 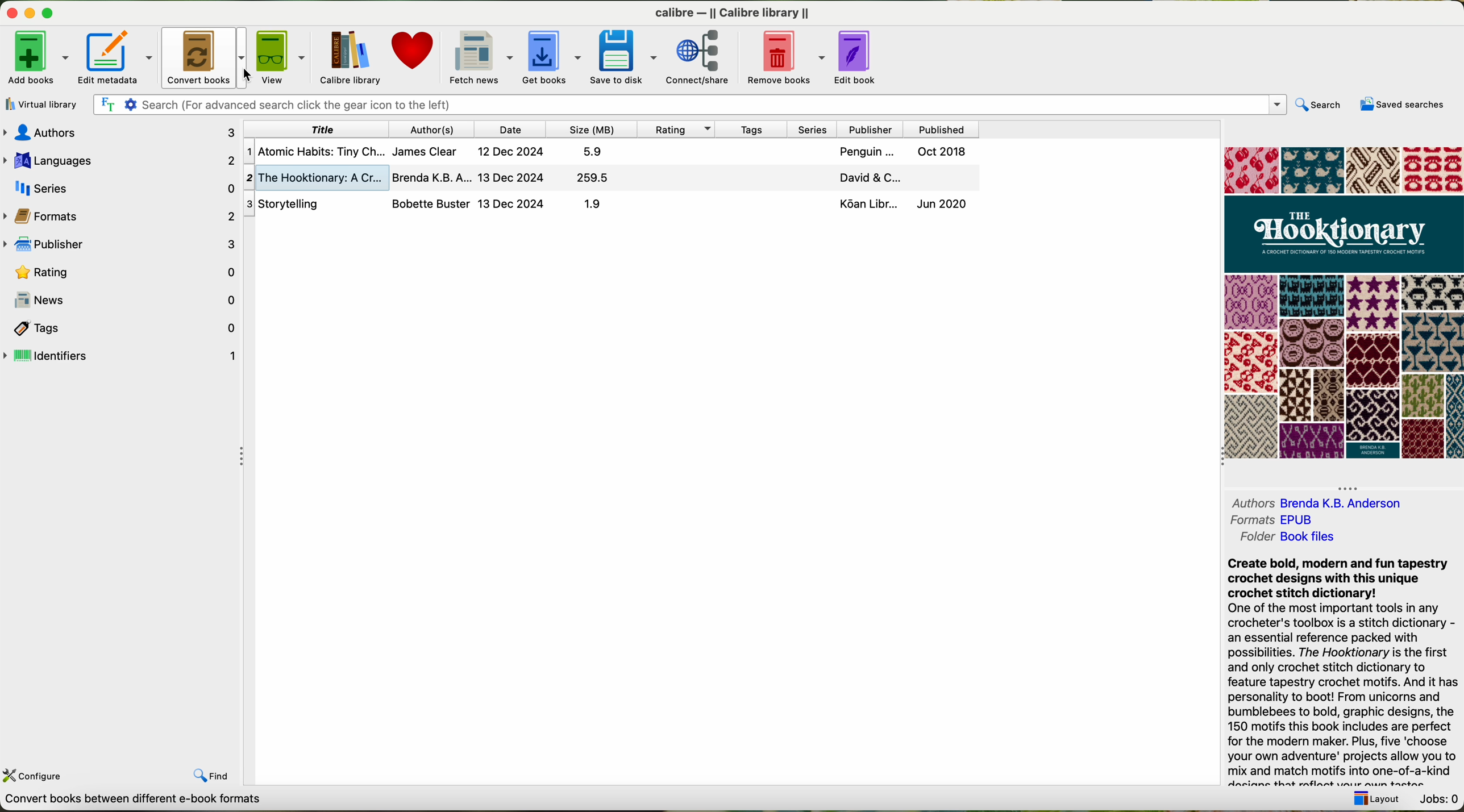 I want to click on convert books between different e-book formats, so click(x=150, y=803).